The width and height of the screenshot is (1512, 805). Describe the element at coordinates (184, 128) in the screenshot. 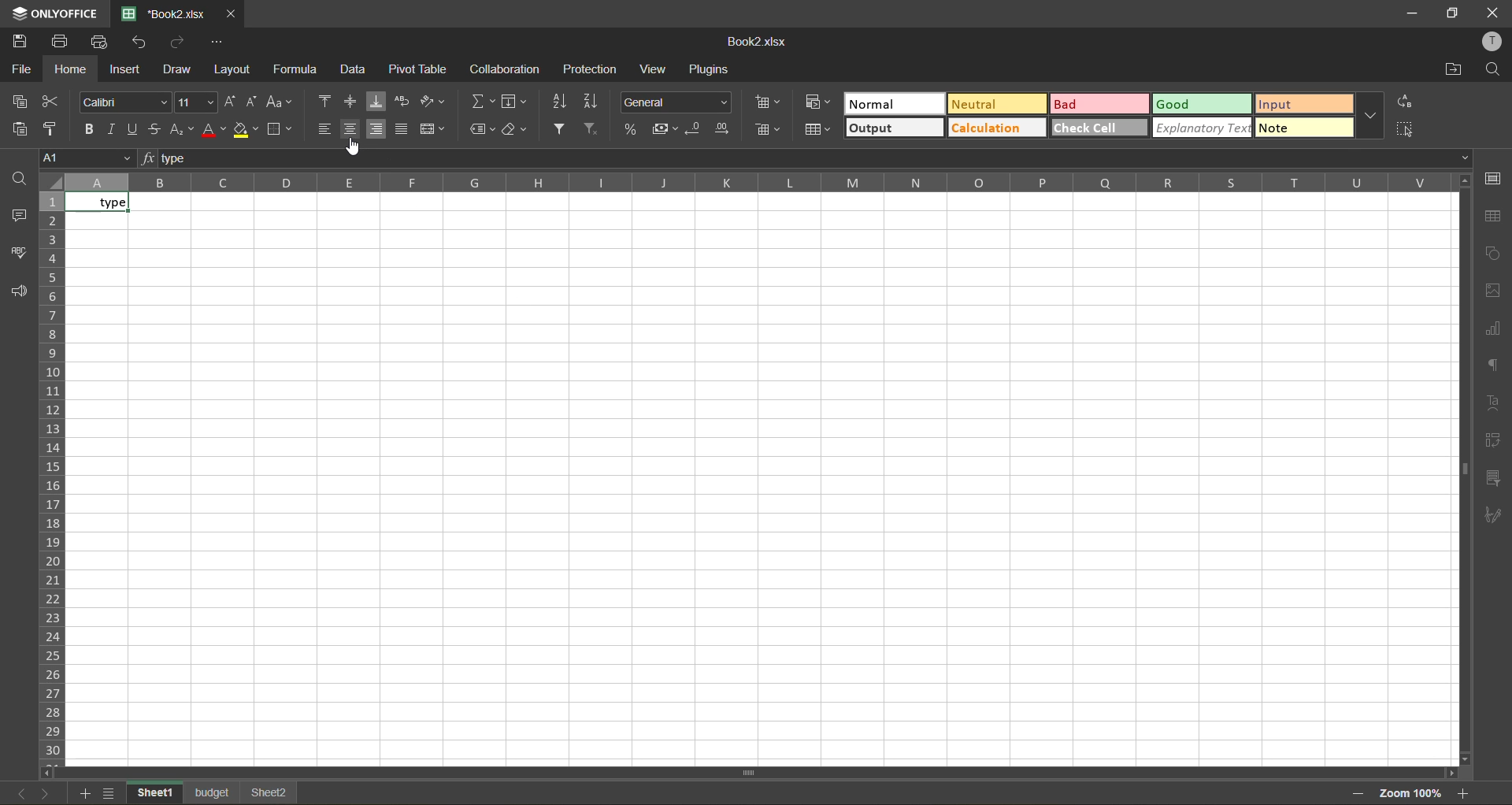

I see `sub/superscript` at that location.